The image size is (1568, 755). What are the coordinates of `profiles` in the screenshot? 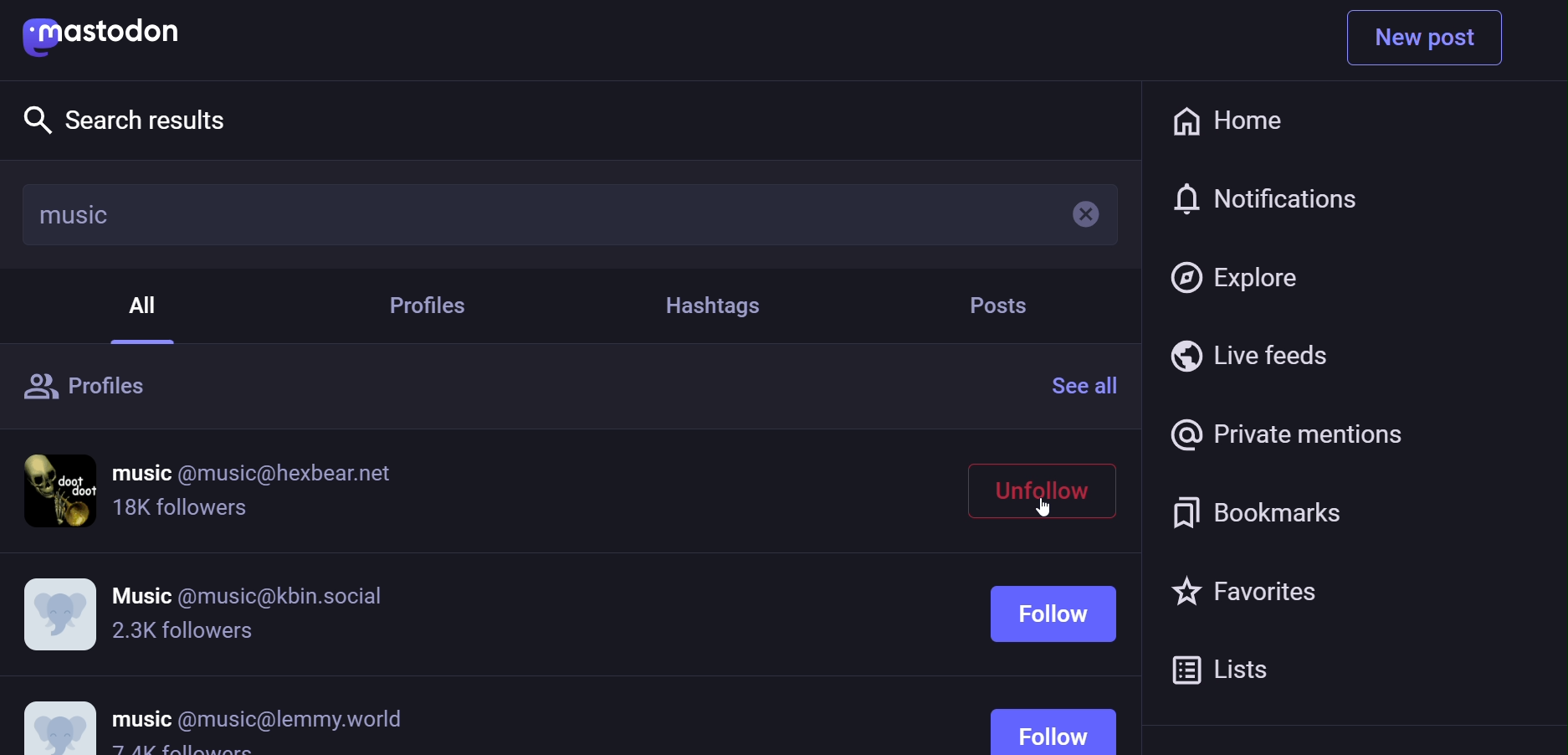 It's located at (91, 389).